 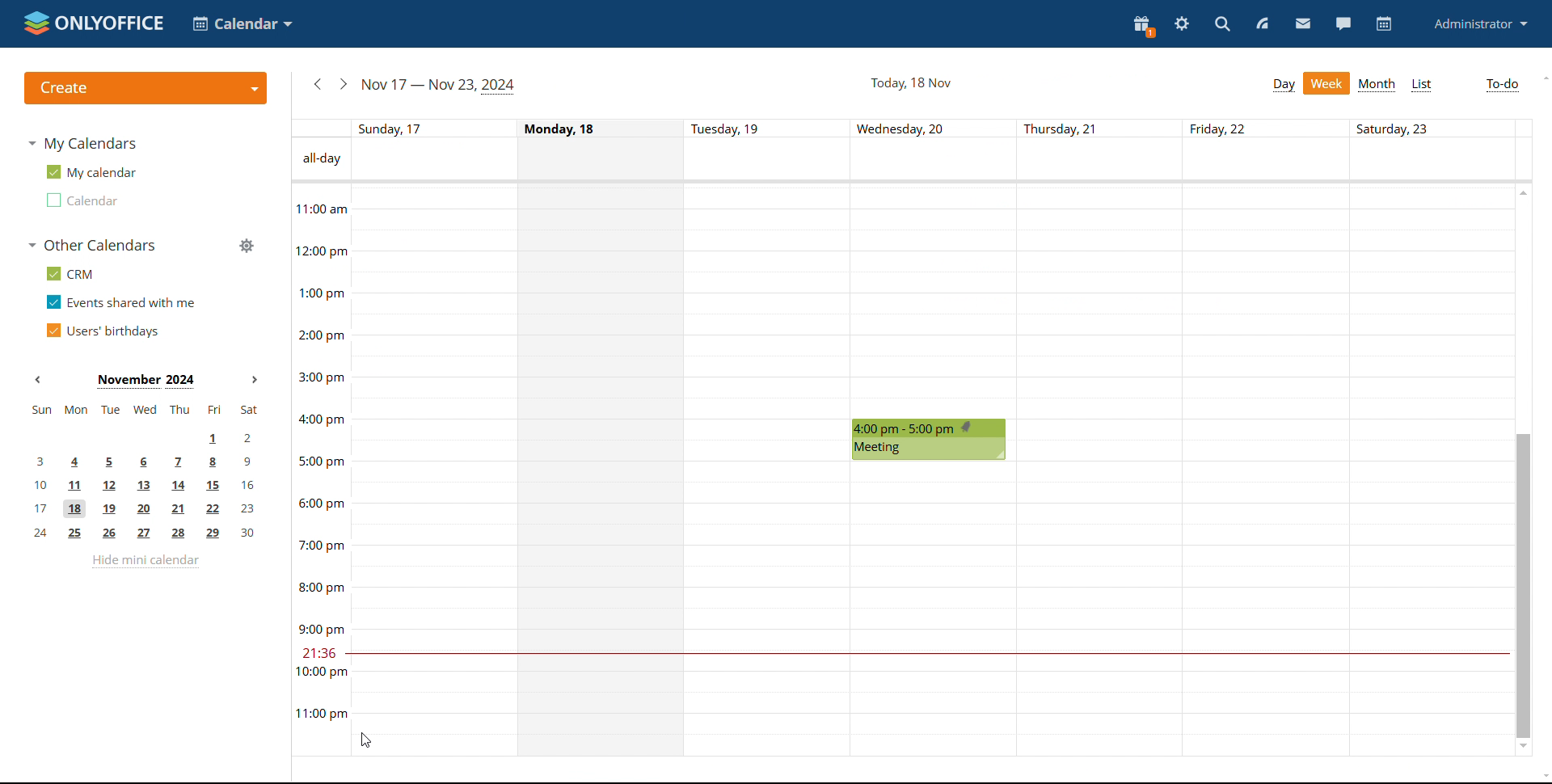 I want to click on profile, so click(x=1480, y=25).